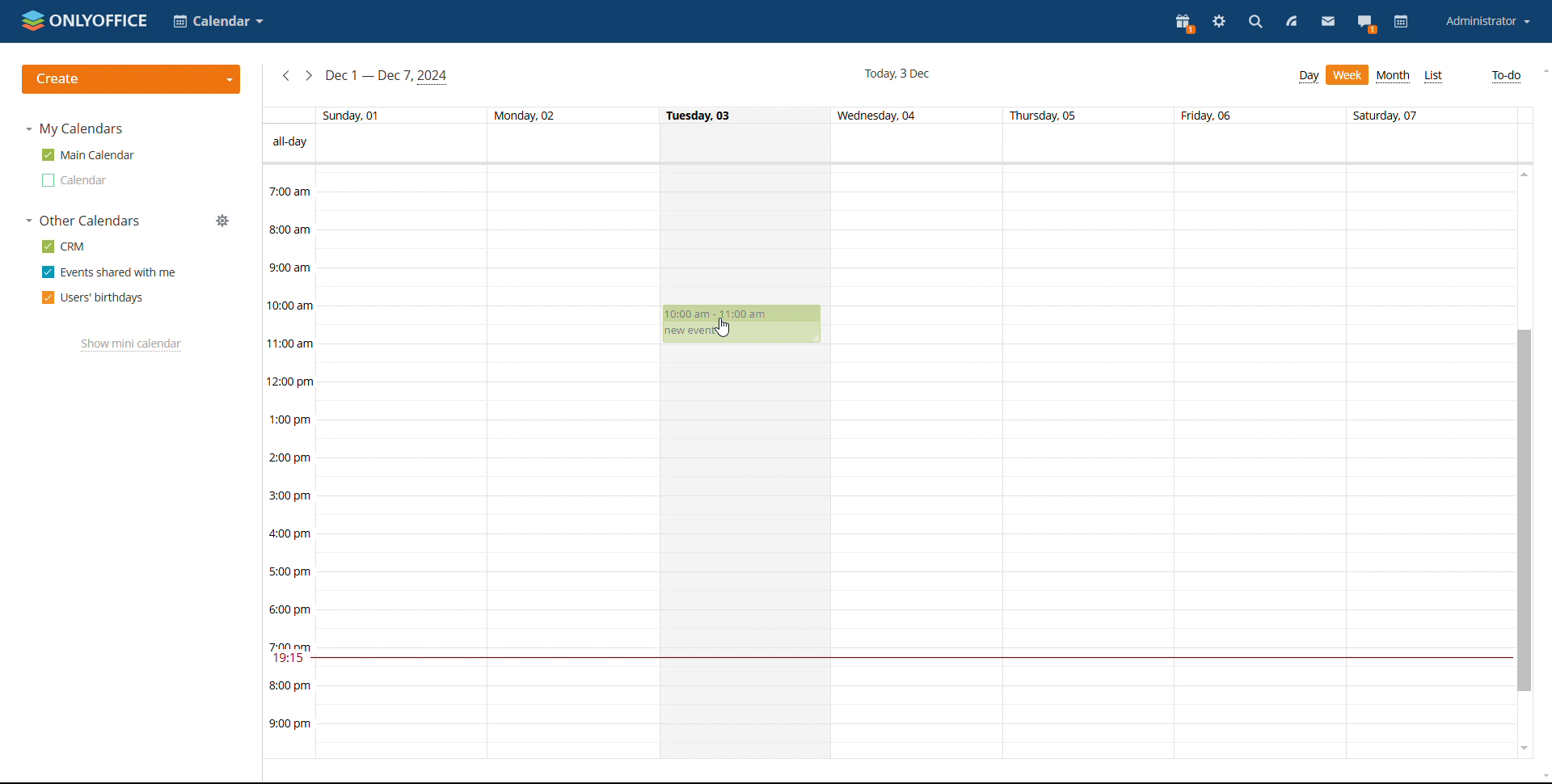 This screenshot has height=784, width=1552. Describe the element at coordinates (84, 221) in the screenshot. I see `Other Calendars` at that location.